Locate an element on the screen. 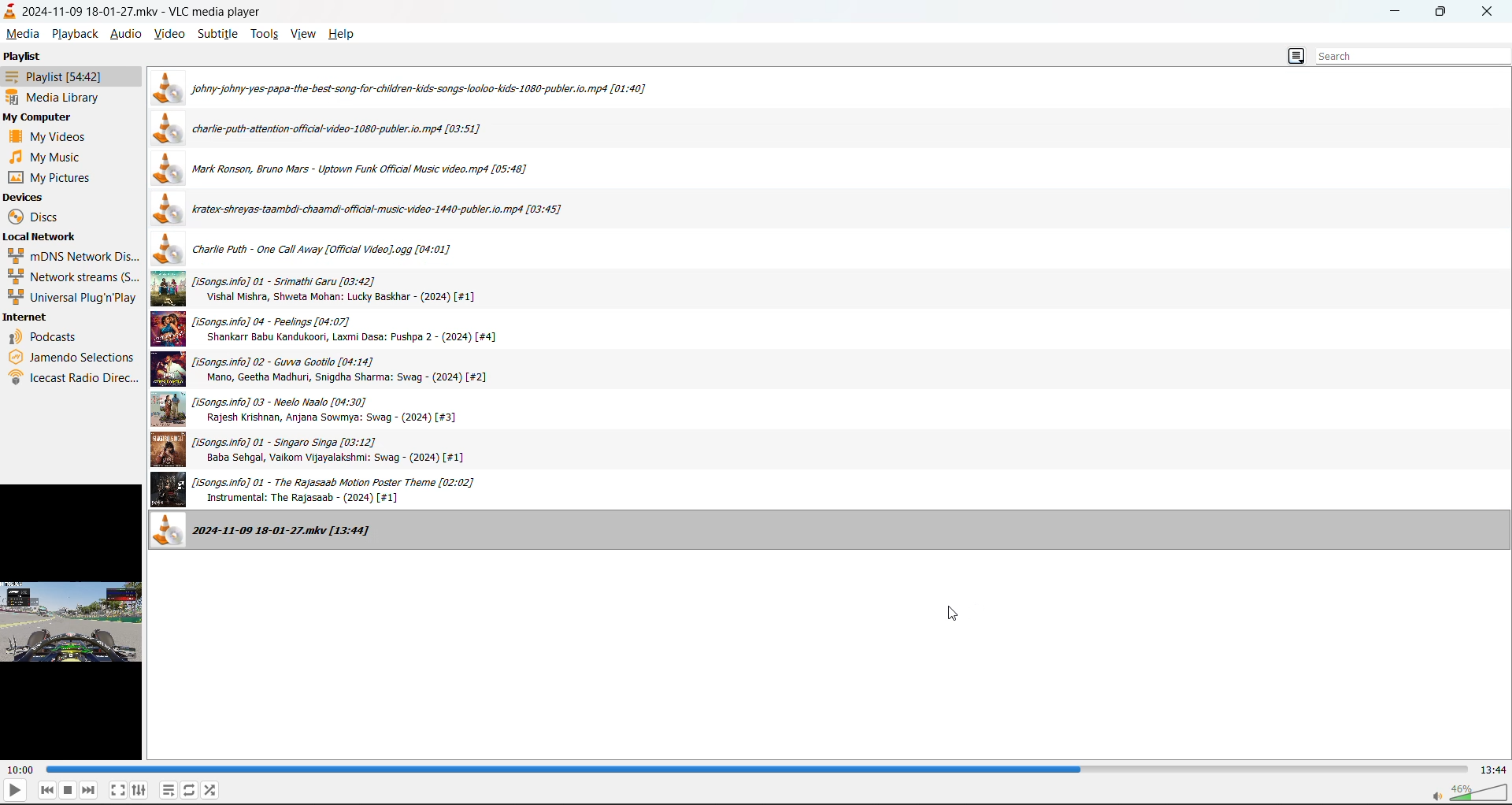  volume is located at coordinates (1473, 792).